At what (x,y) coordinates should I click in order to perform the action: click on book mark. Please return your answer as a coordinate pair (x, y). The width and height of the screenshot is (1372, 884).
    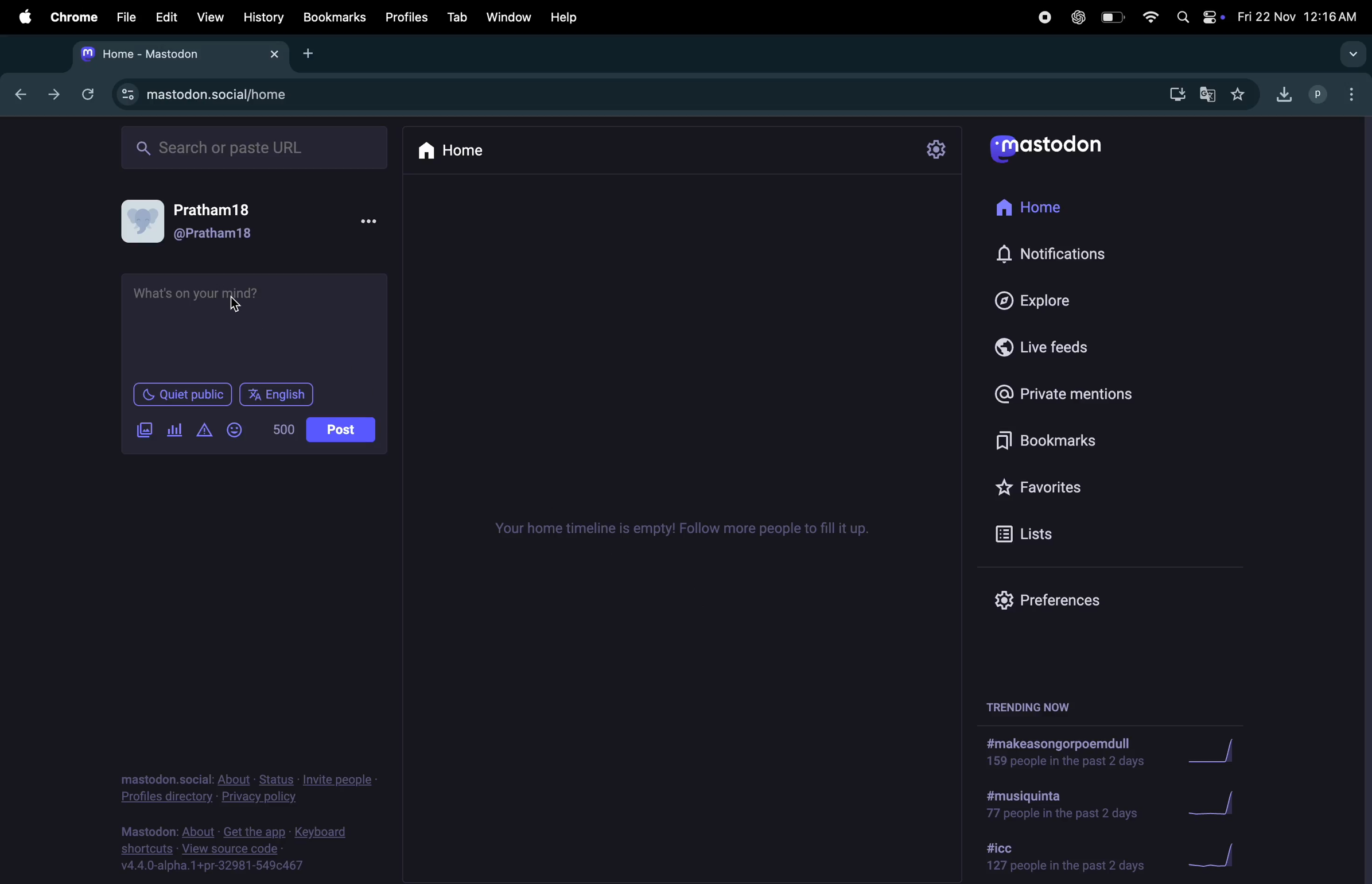
    Looking at the image, I should click on (1056, 441).